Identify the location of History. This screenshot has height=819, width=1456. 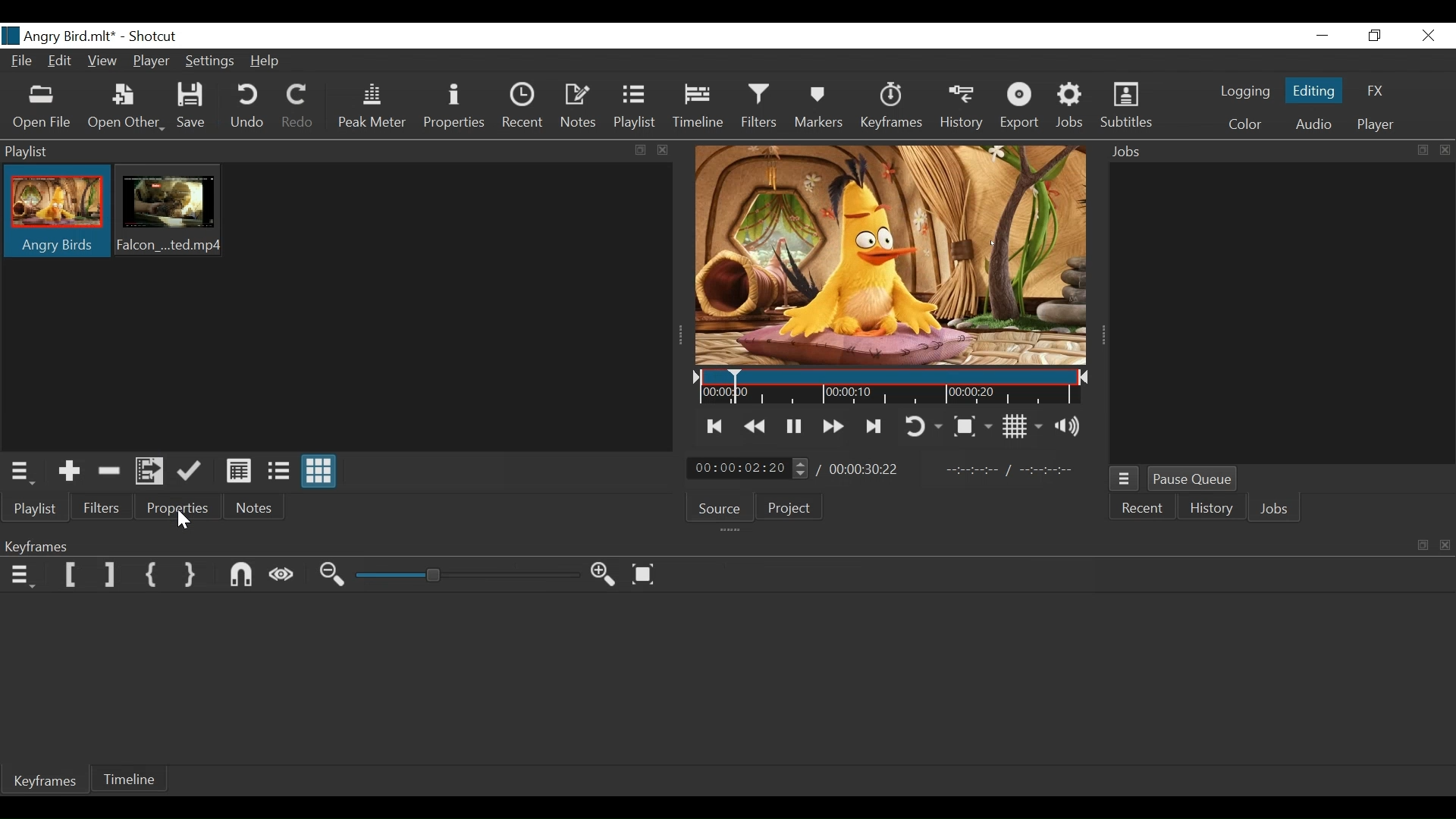
(1209, 510).